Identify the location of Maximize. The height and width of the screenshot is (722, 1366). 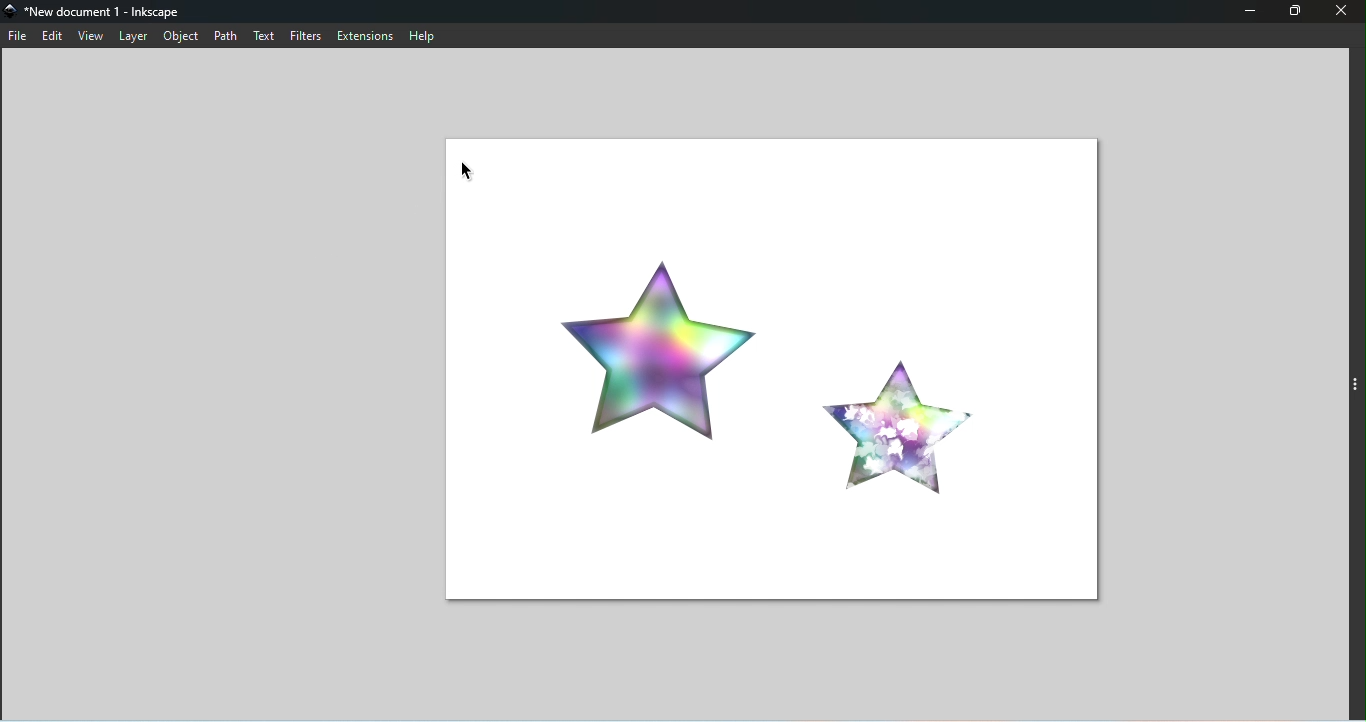
(1297, 11).